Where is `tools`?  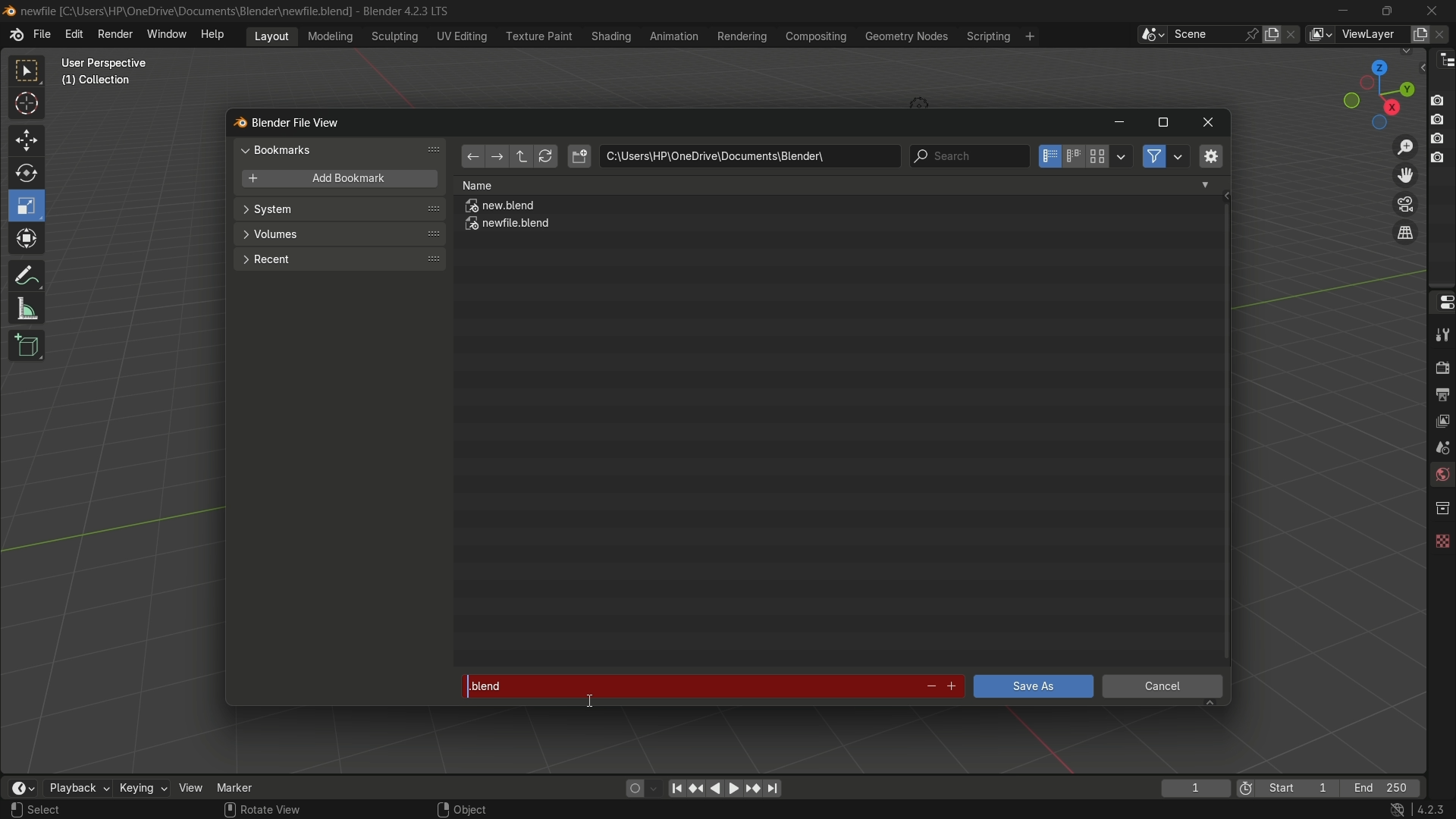
tools is located at coordinates (1441, 334).